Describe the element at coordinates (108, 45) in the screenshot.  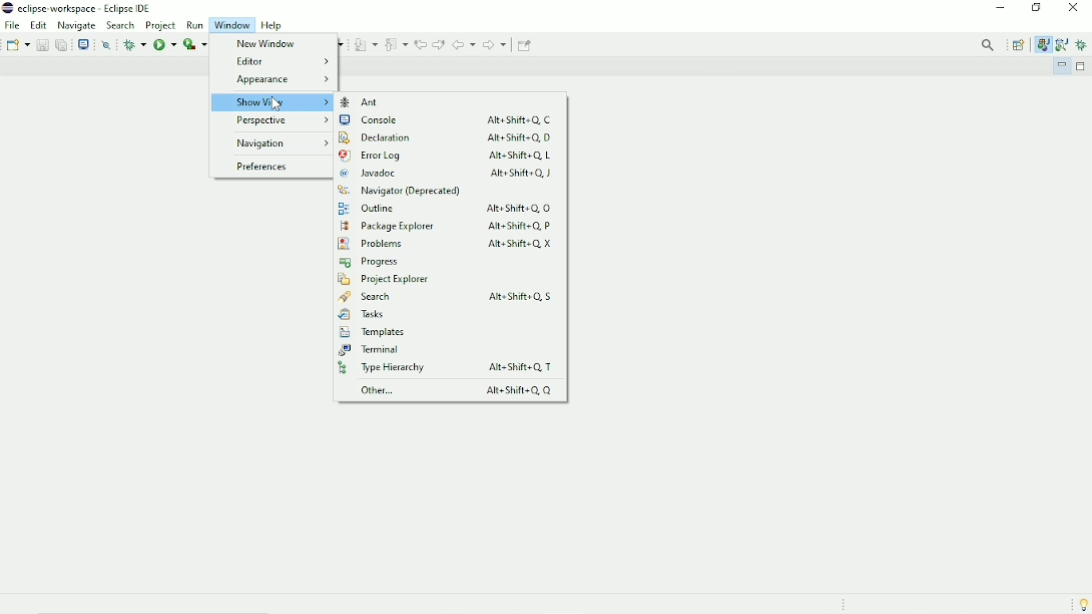
I see `Skip all breakpoints` at that location.